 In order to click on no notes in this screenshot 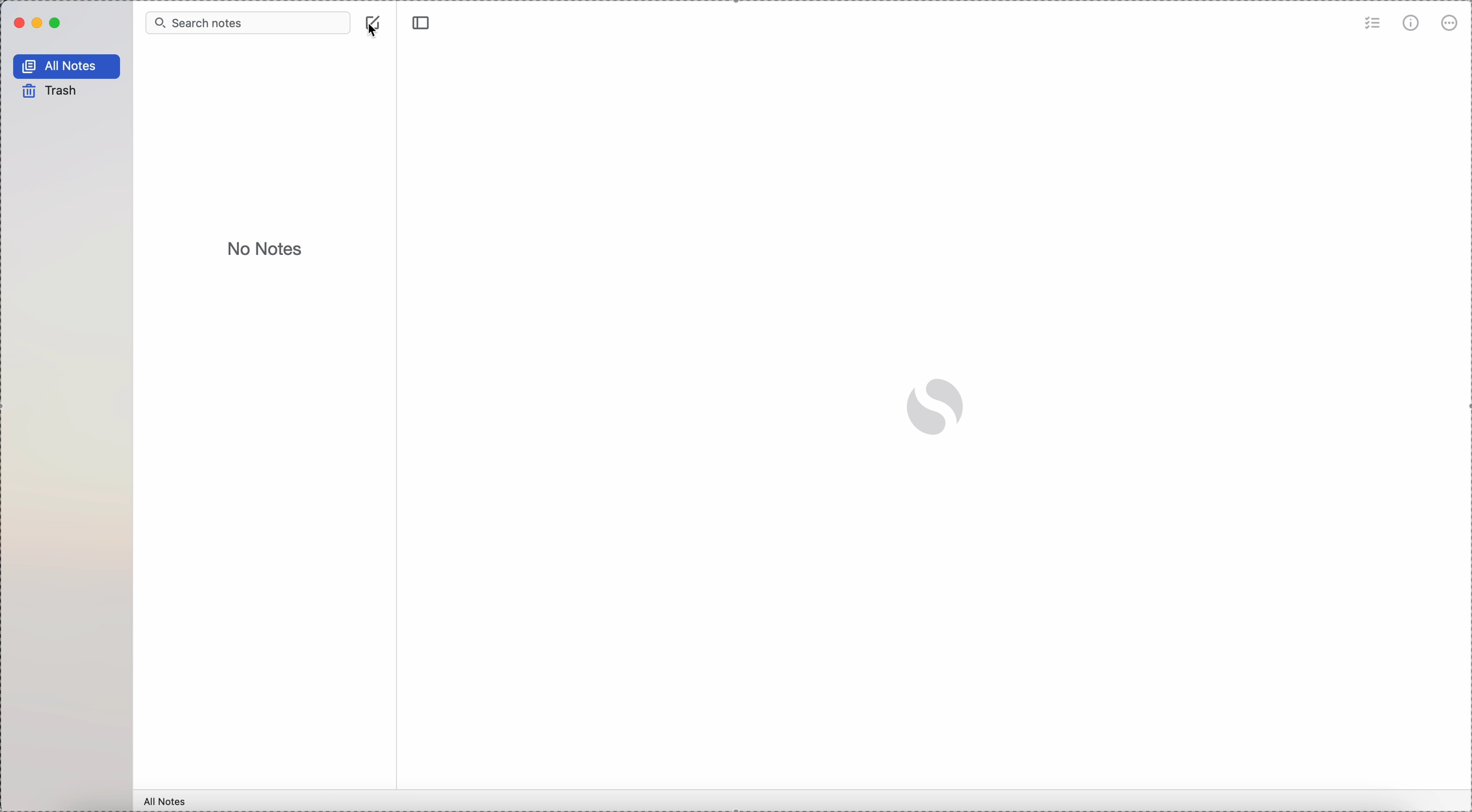, I will do `click(267, 249)`.